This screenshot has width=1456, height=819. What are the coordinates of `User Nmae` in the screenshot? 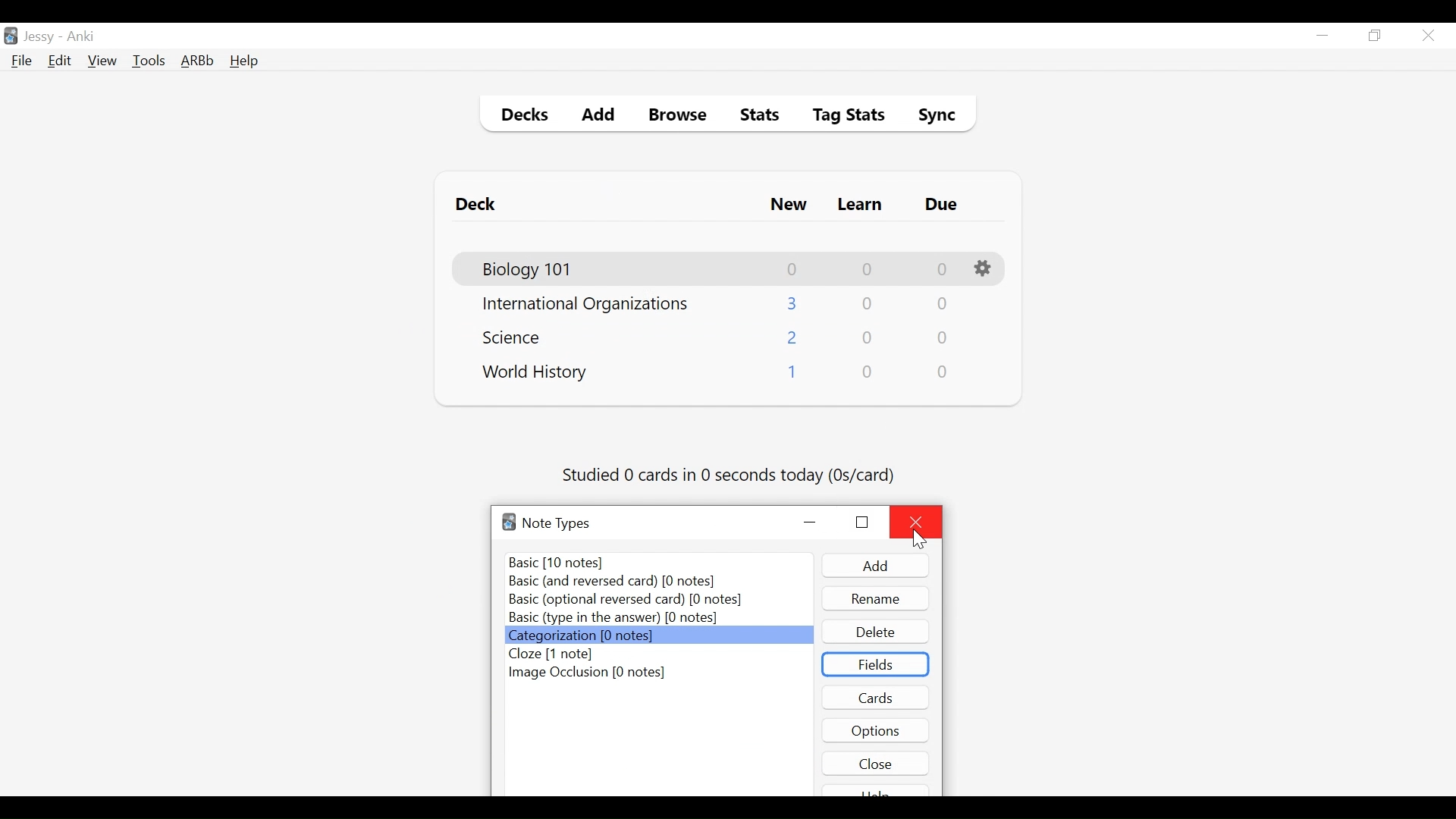 It's located at (42, 37).